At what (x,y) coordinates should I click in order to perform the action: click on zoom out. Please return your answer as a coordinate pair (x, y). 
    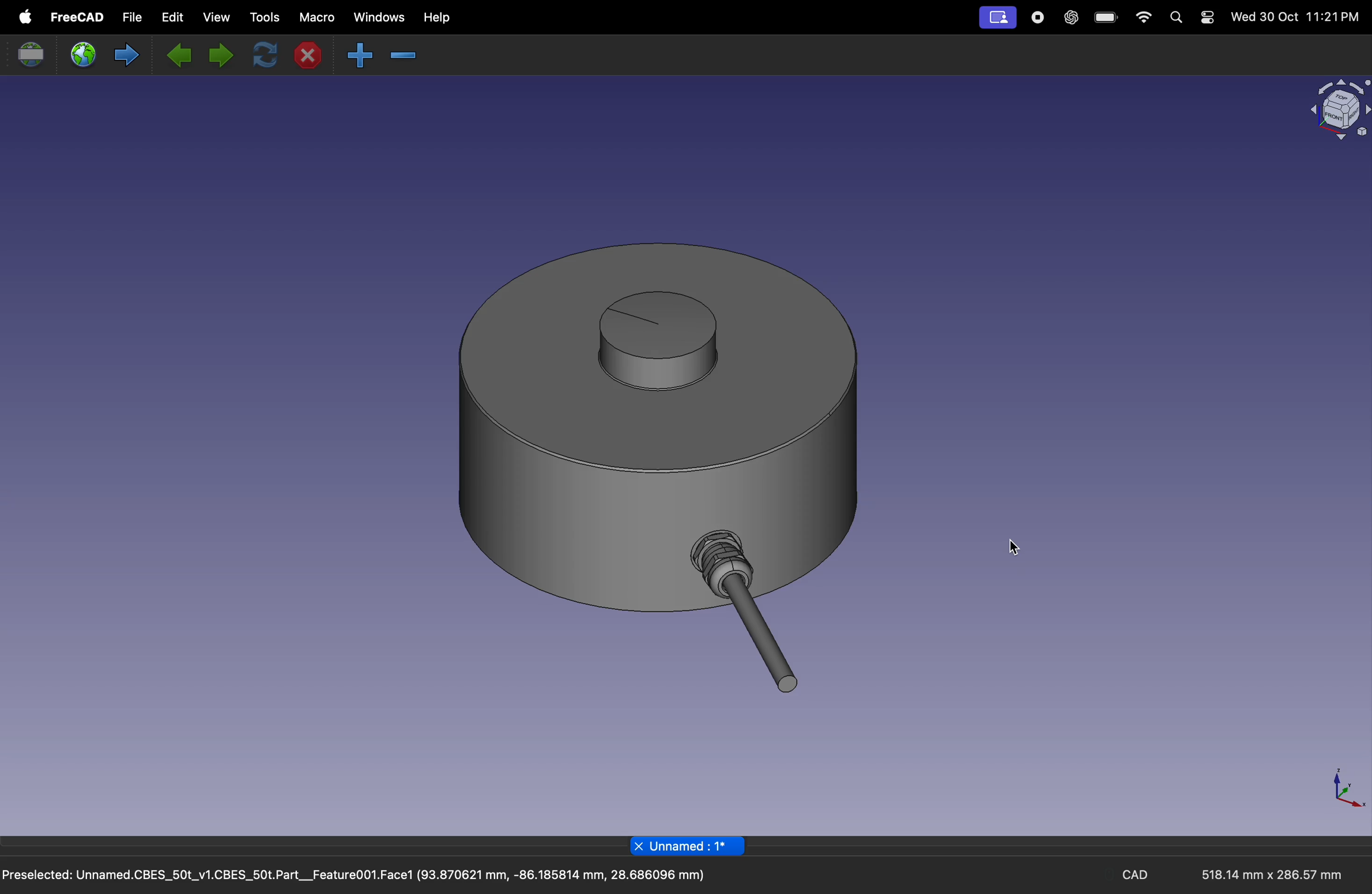
    Looking at the image, I should click on (359, 55).